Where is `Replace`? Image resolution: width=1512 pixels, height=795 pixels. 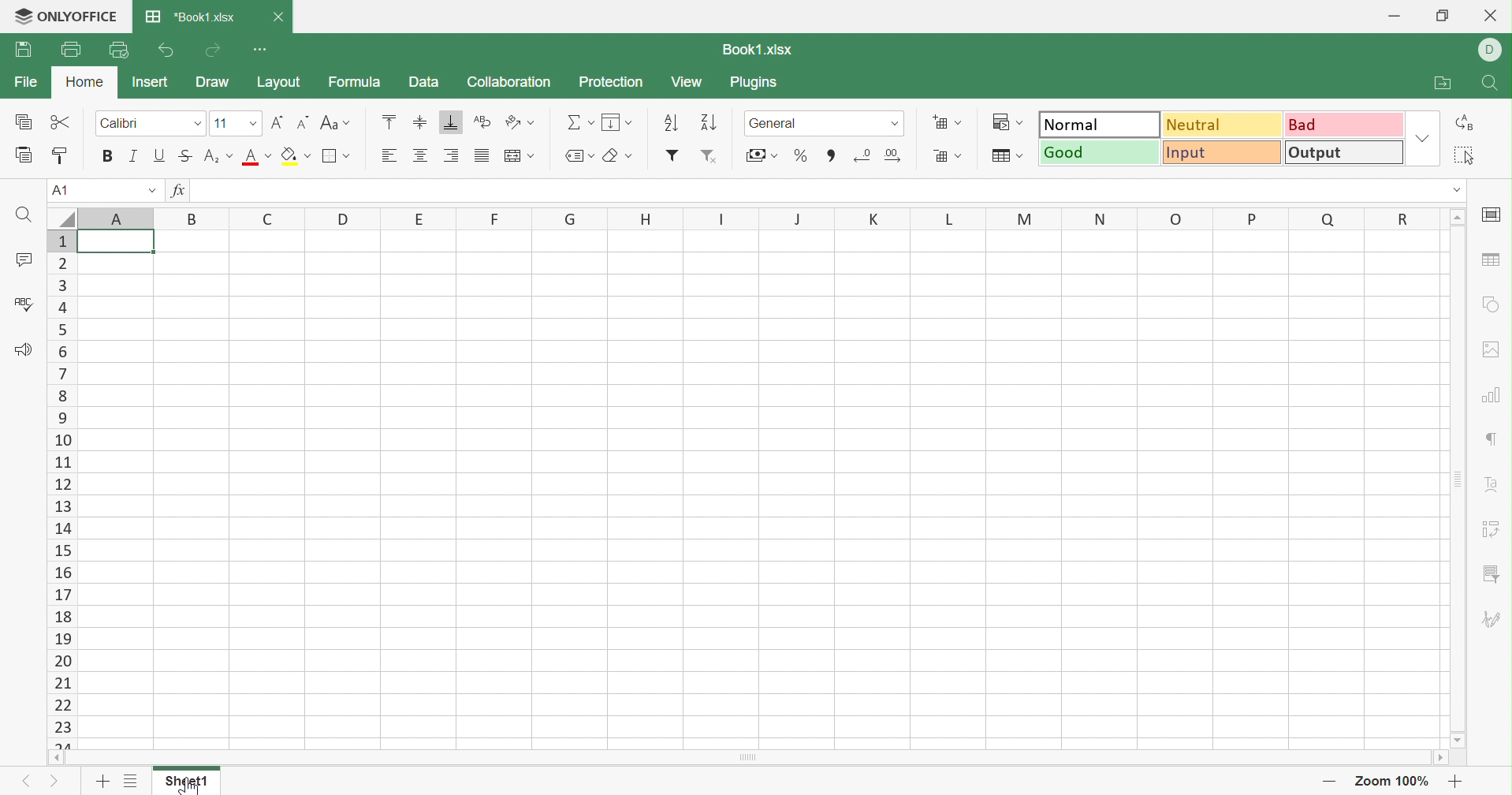 Replace is located at coordinates (1468, 125).